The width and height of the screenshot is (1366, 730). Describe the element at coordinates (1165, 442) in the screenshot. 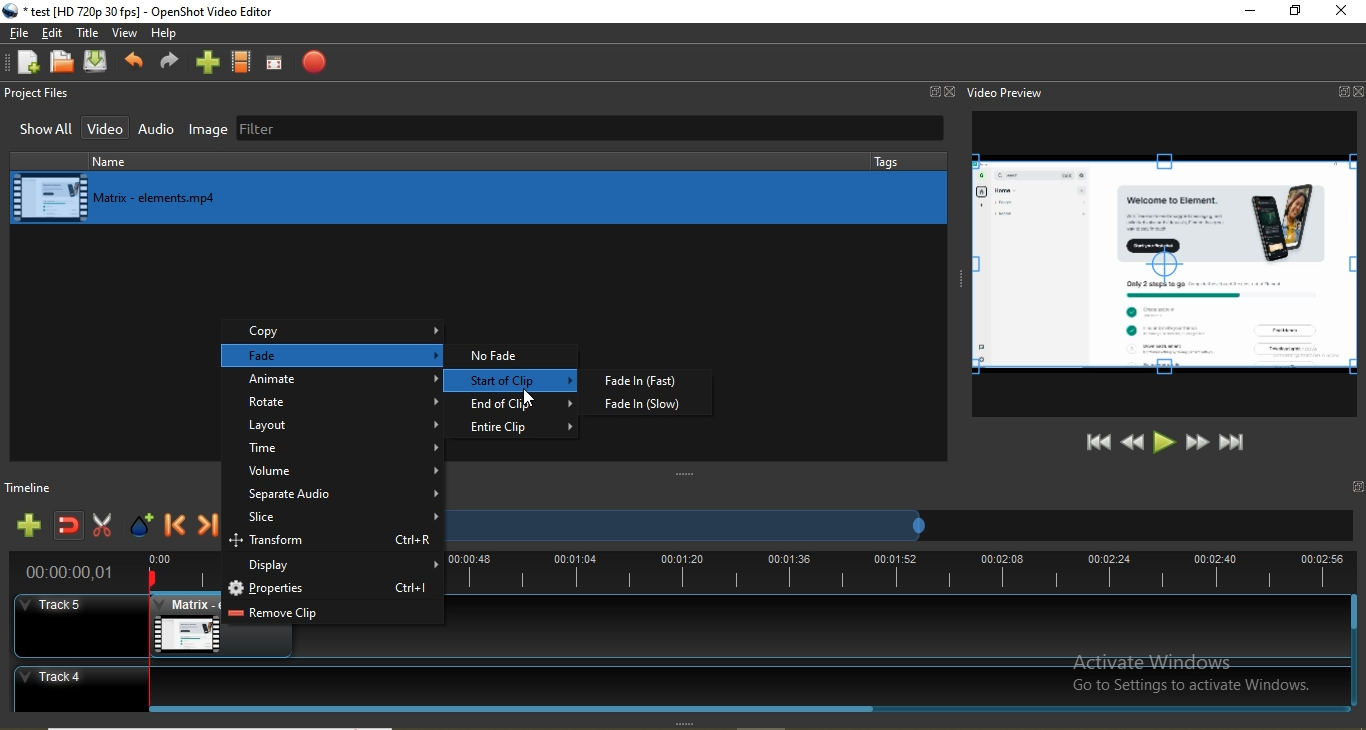

I see `Play` at that location.